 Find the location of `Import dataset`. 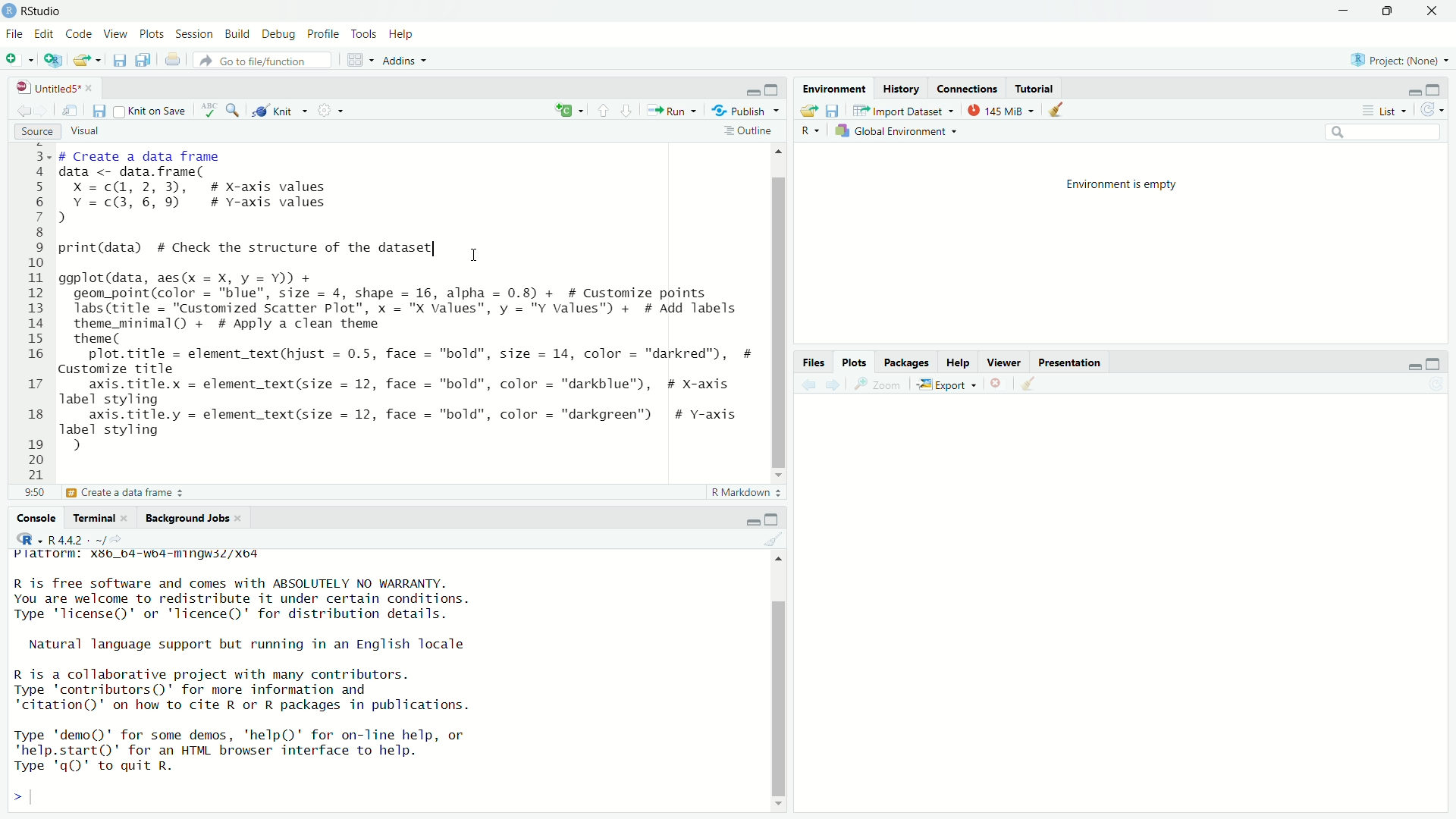

Import dataset is located at coordinates (904, 111).